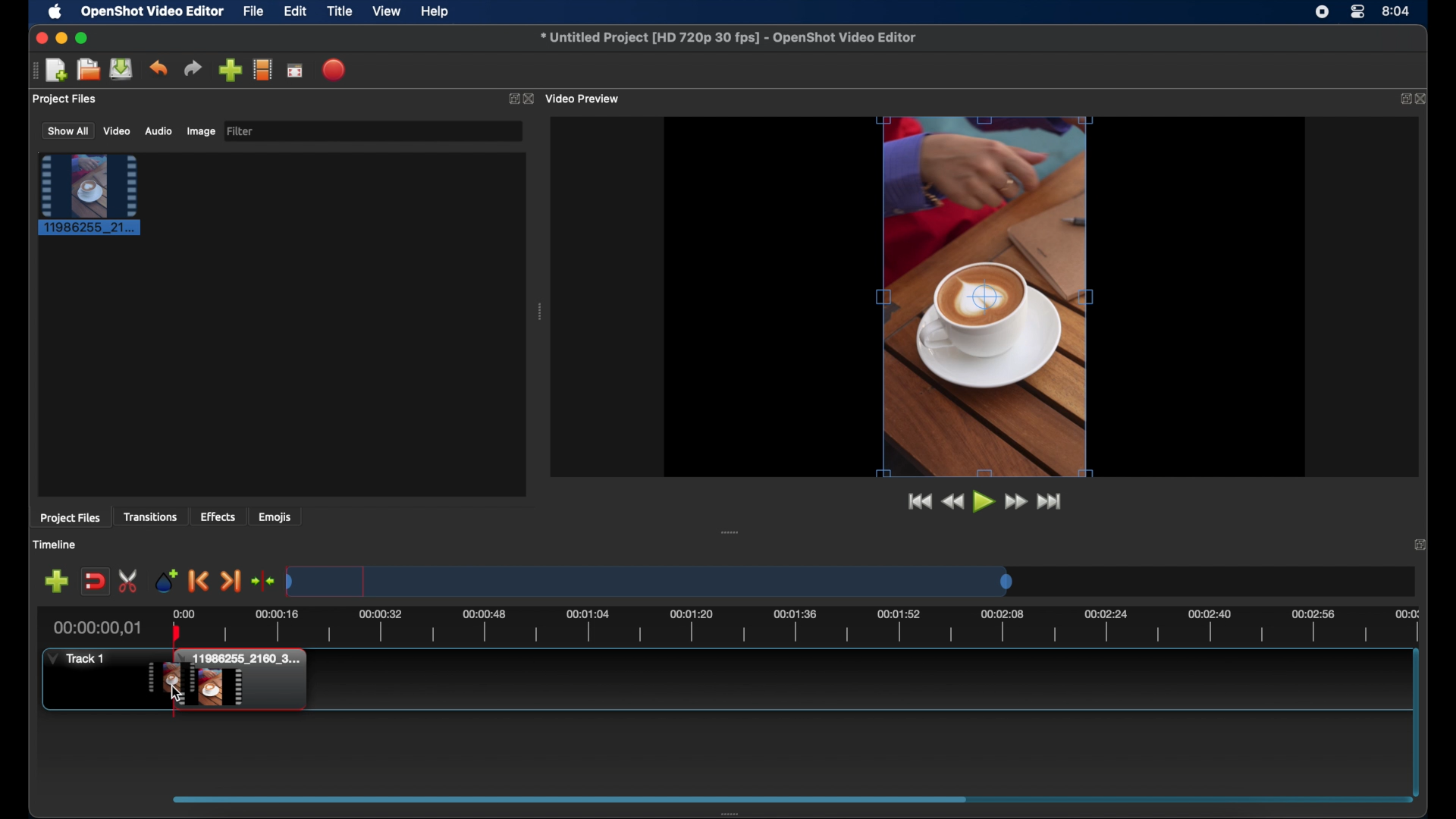  Describe the element at coordinates (731, 532) in the screenshot. I see `drag handle` at that location.